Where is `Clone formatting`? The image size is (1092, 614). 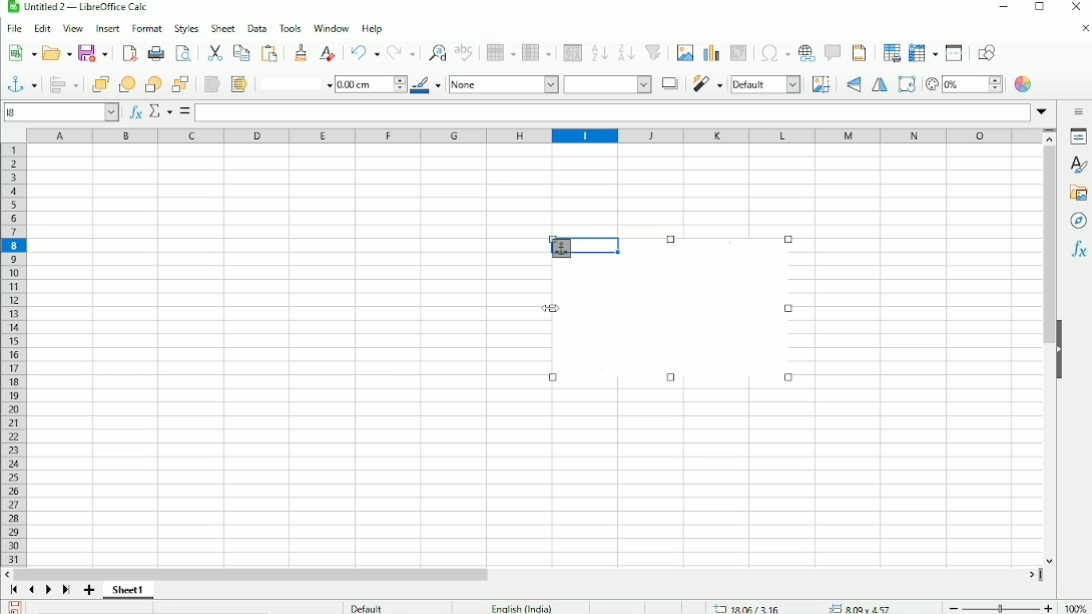
Clone formatting is located at coordinates (302, 52).